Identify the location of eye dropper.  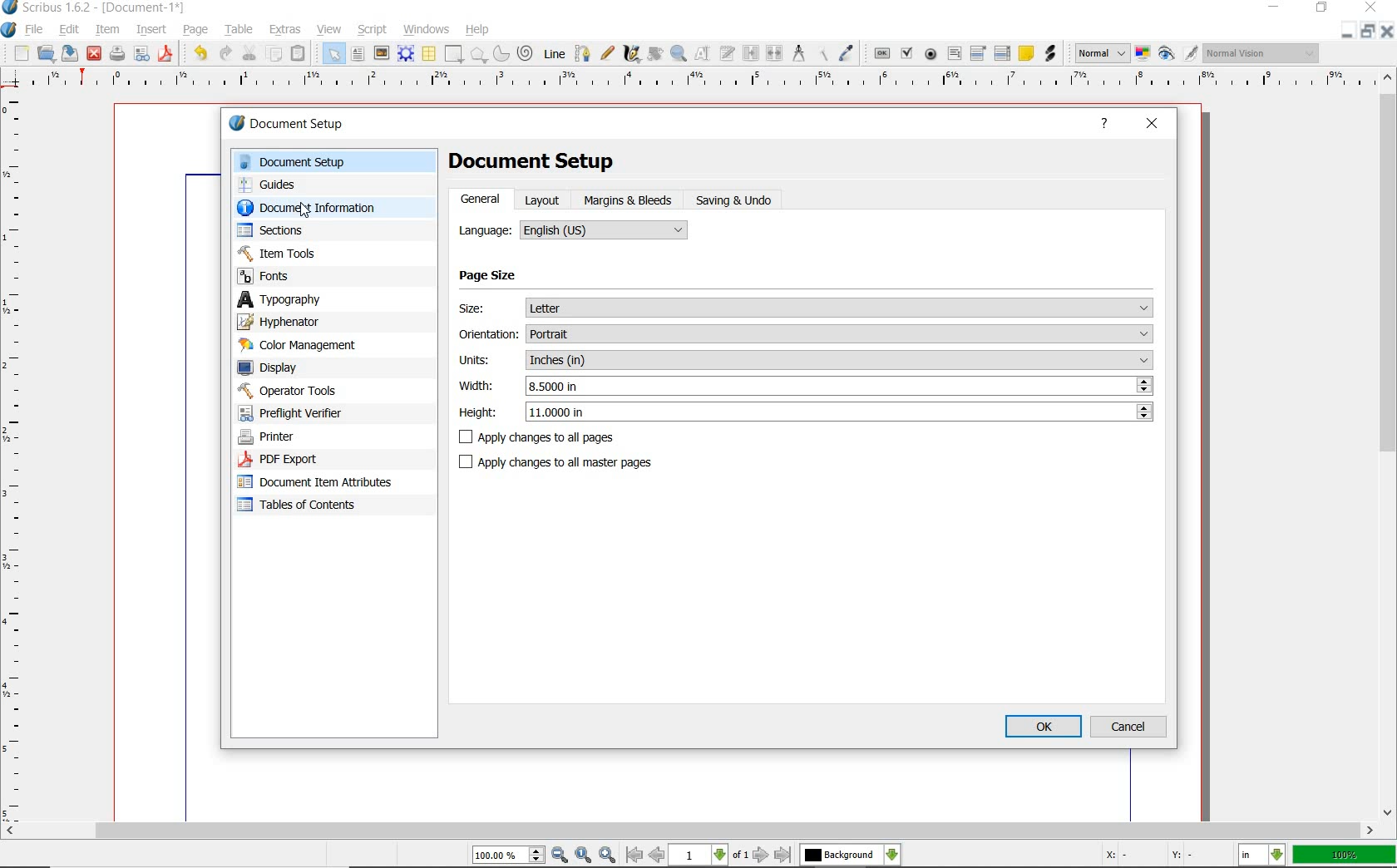
(847, 52).